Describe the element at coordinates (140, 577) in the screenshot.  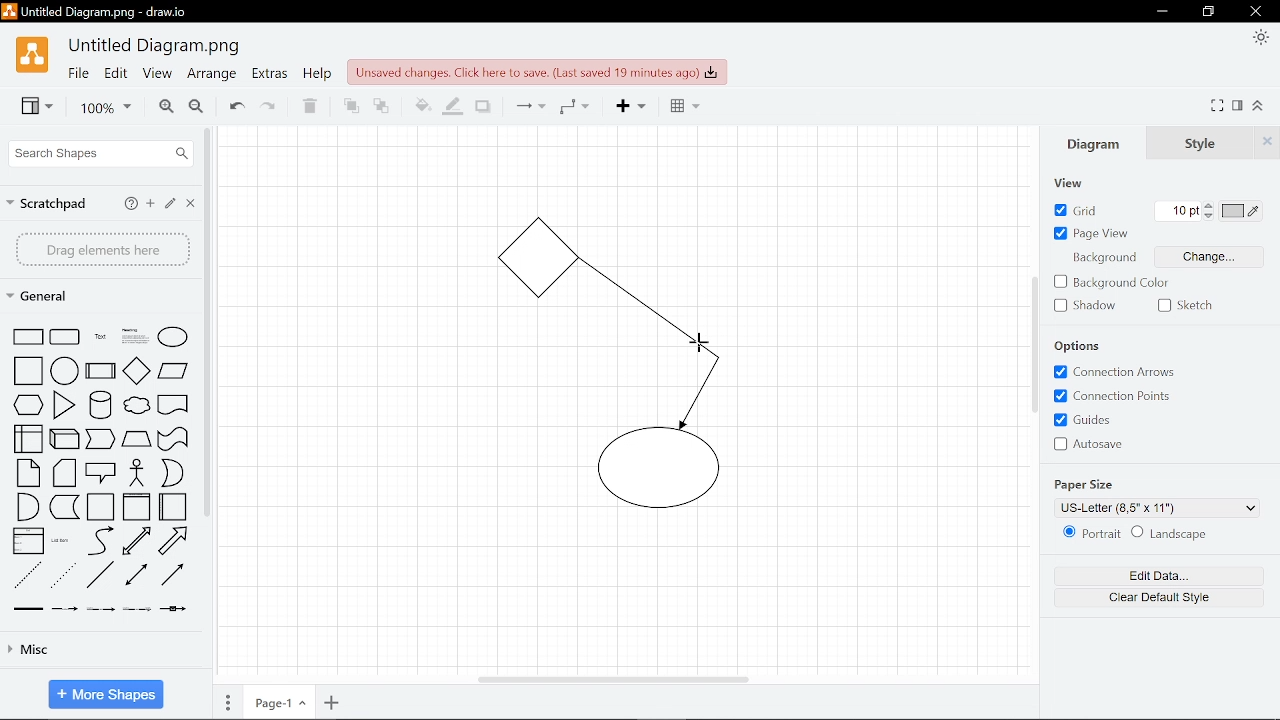
I see `shape` at that location.